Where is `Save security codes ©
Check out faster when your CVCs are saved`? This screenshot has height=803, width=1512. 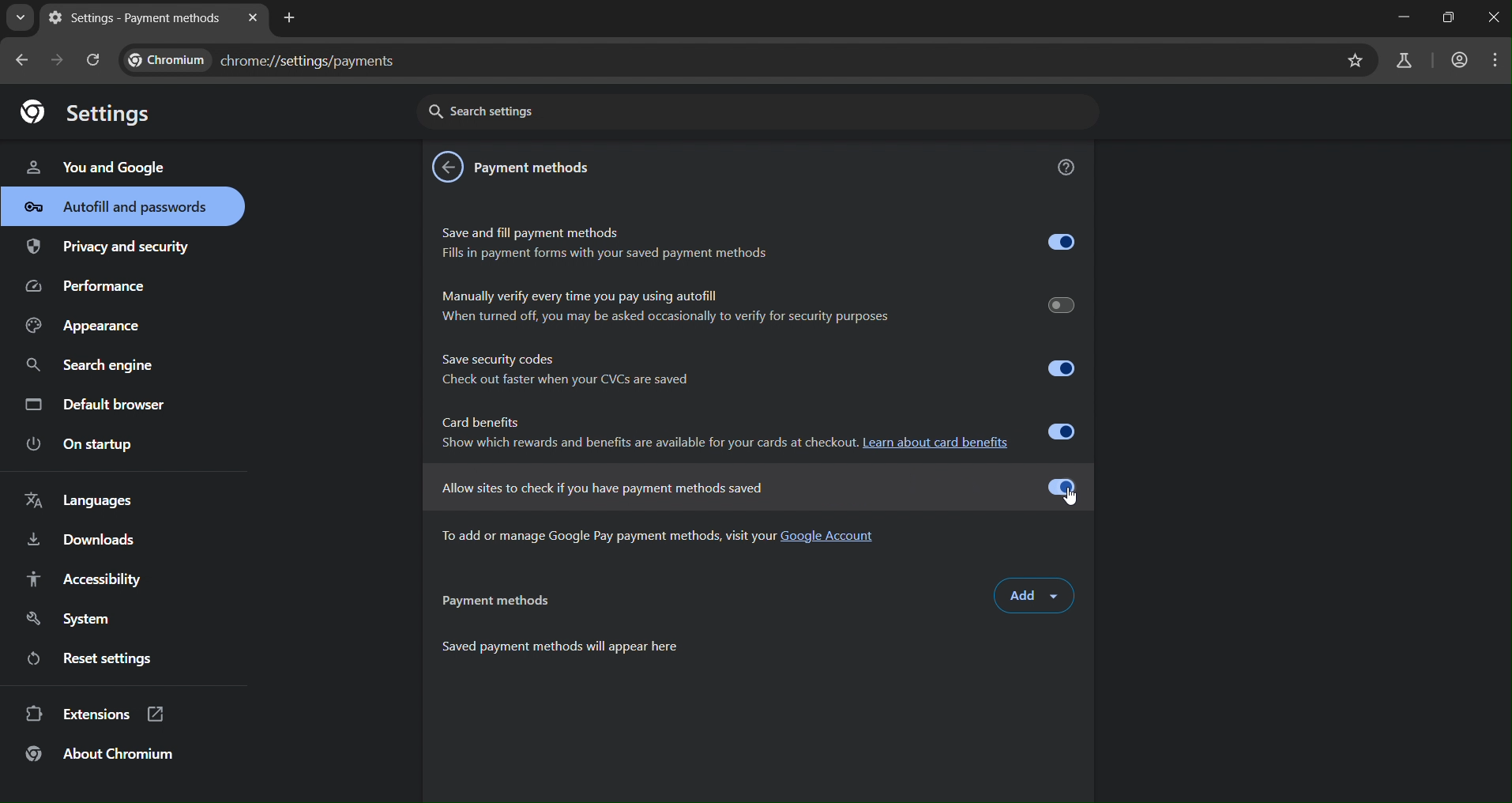
Save security codes ©
Check out faster when your CVCs are saved is located at coordinates (759, 366).